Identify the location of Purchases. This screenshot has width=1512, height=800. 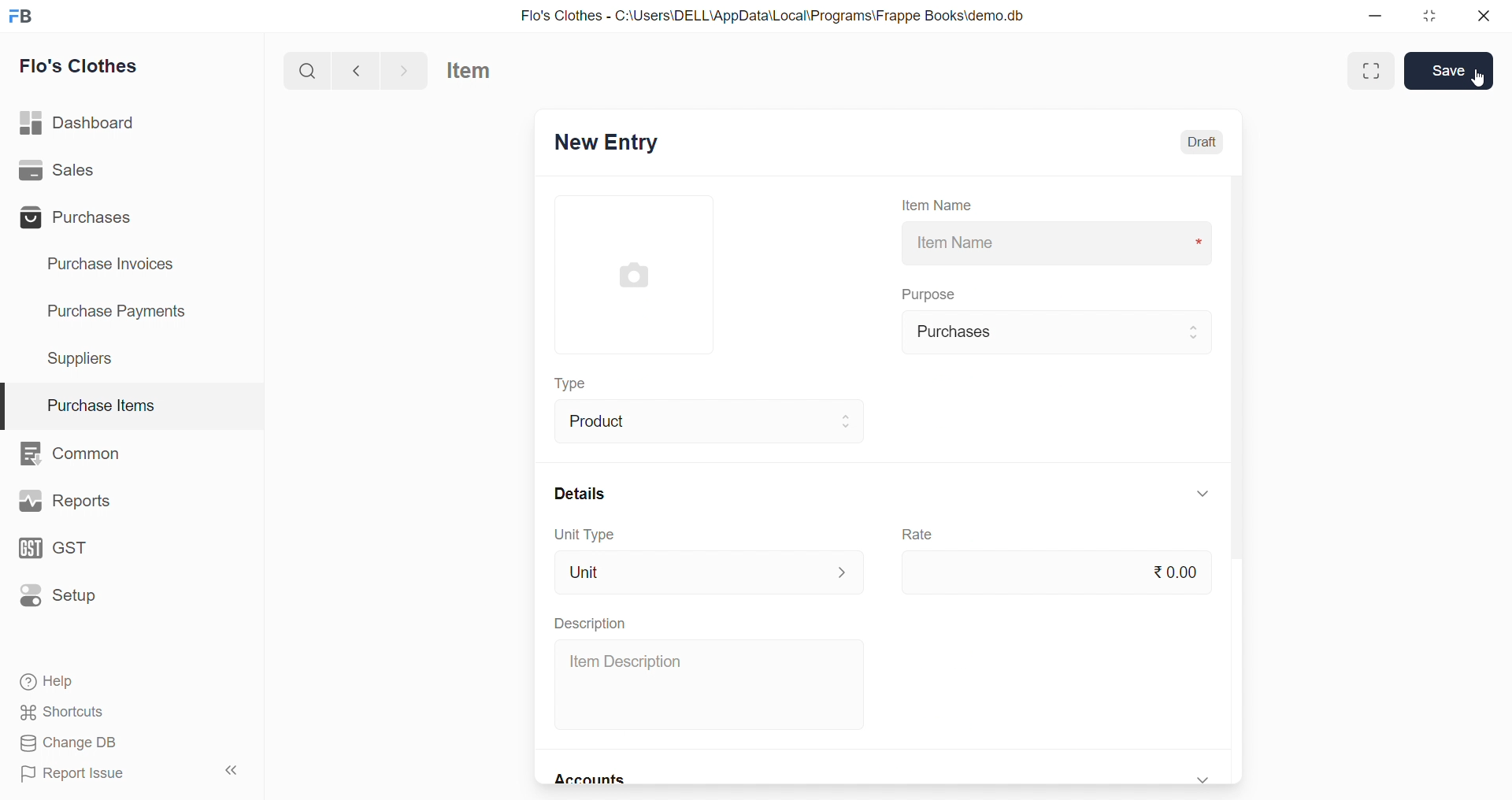
(1058, 332).